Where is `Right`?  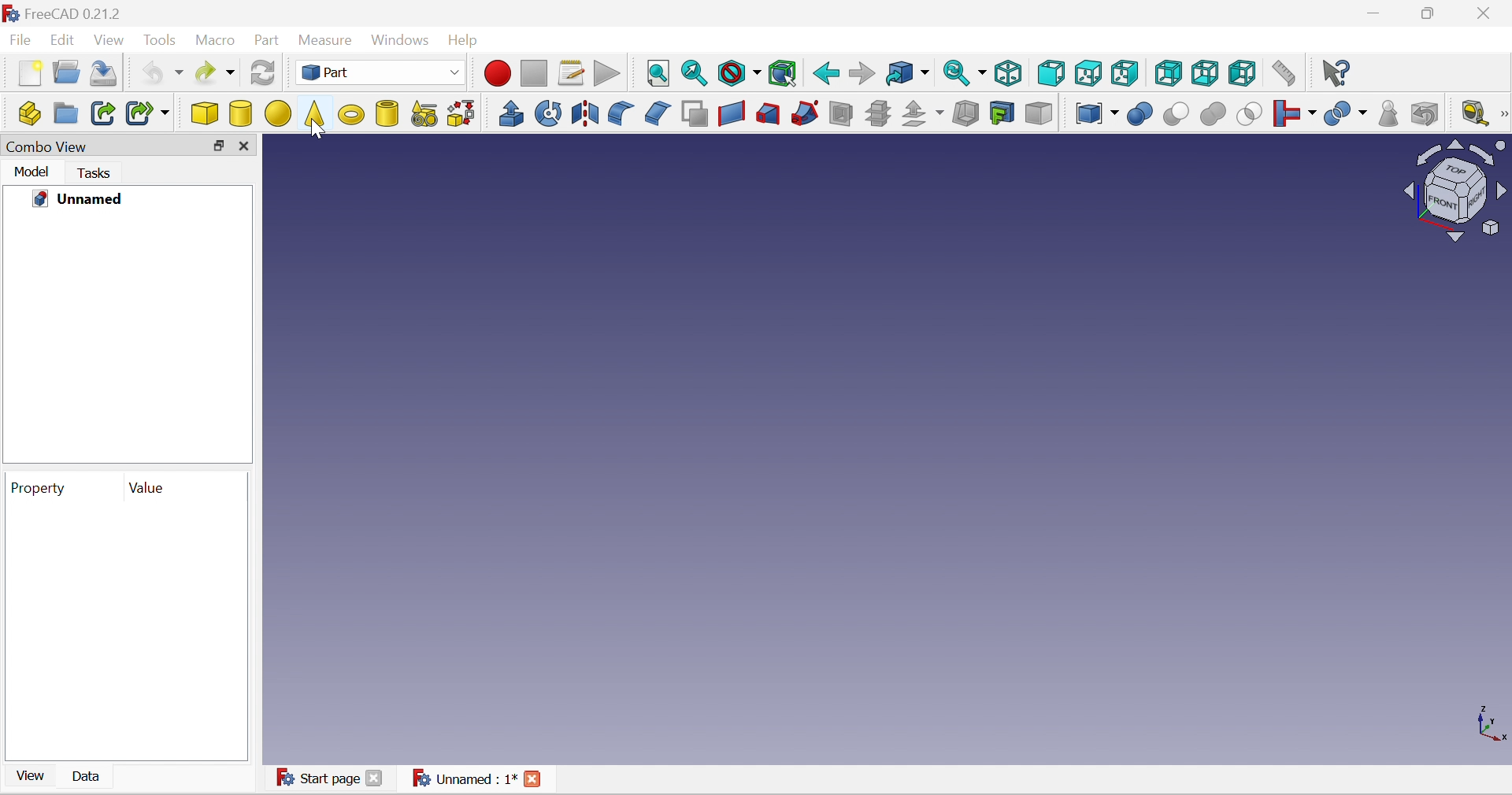
Right is located at coordinates (1125, 72).